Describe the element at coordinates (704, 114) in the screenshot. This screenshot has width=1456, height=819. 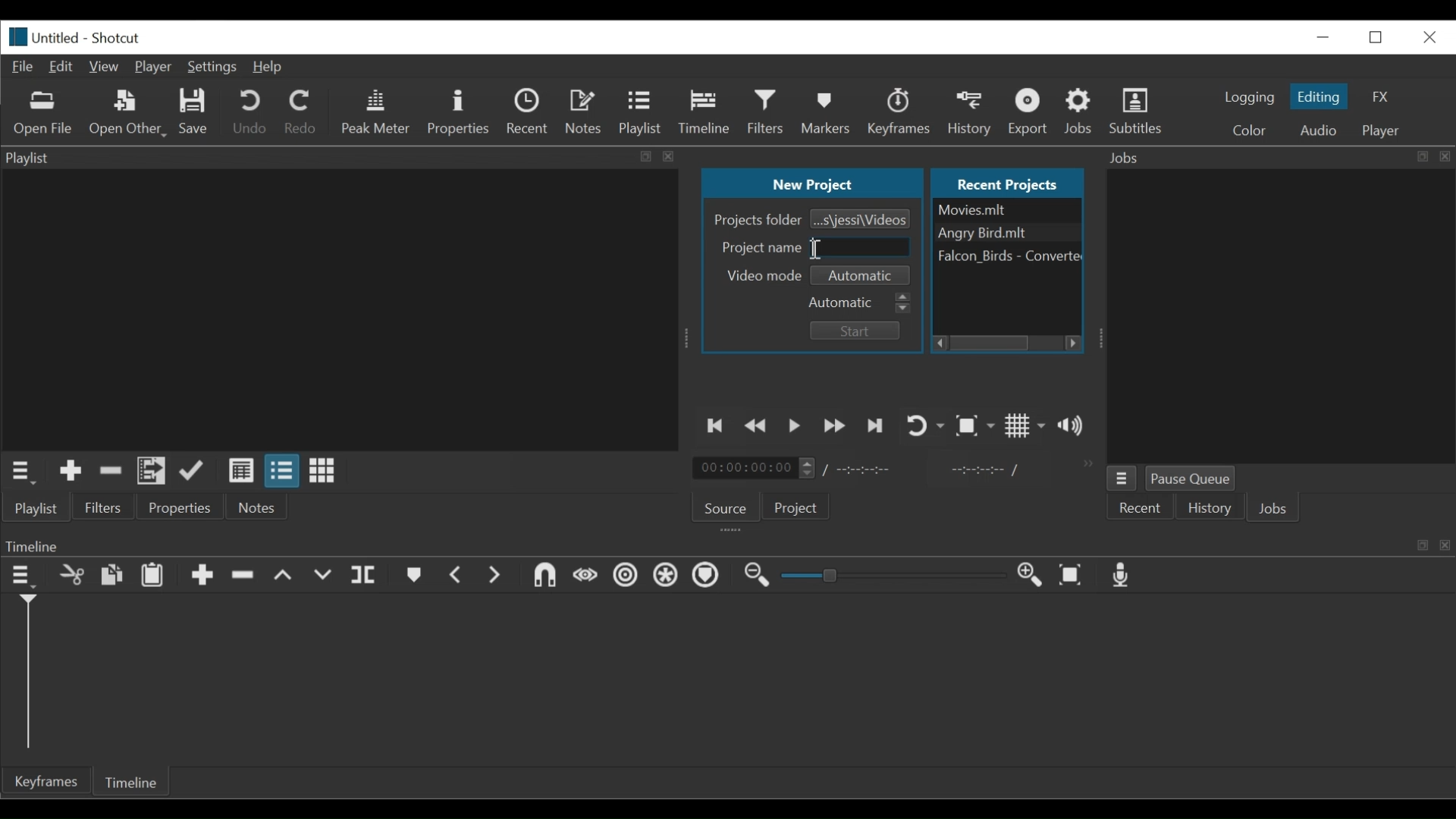
I see `Timeline` at that location.